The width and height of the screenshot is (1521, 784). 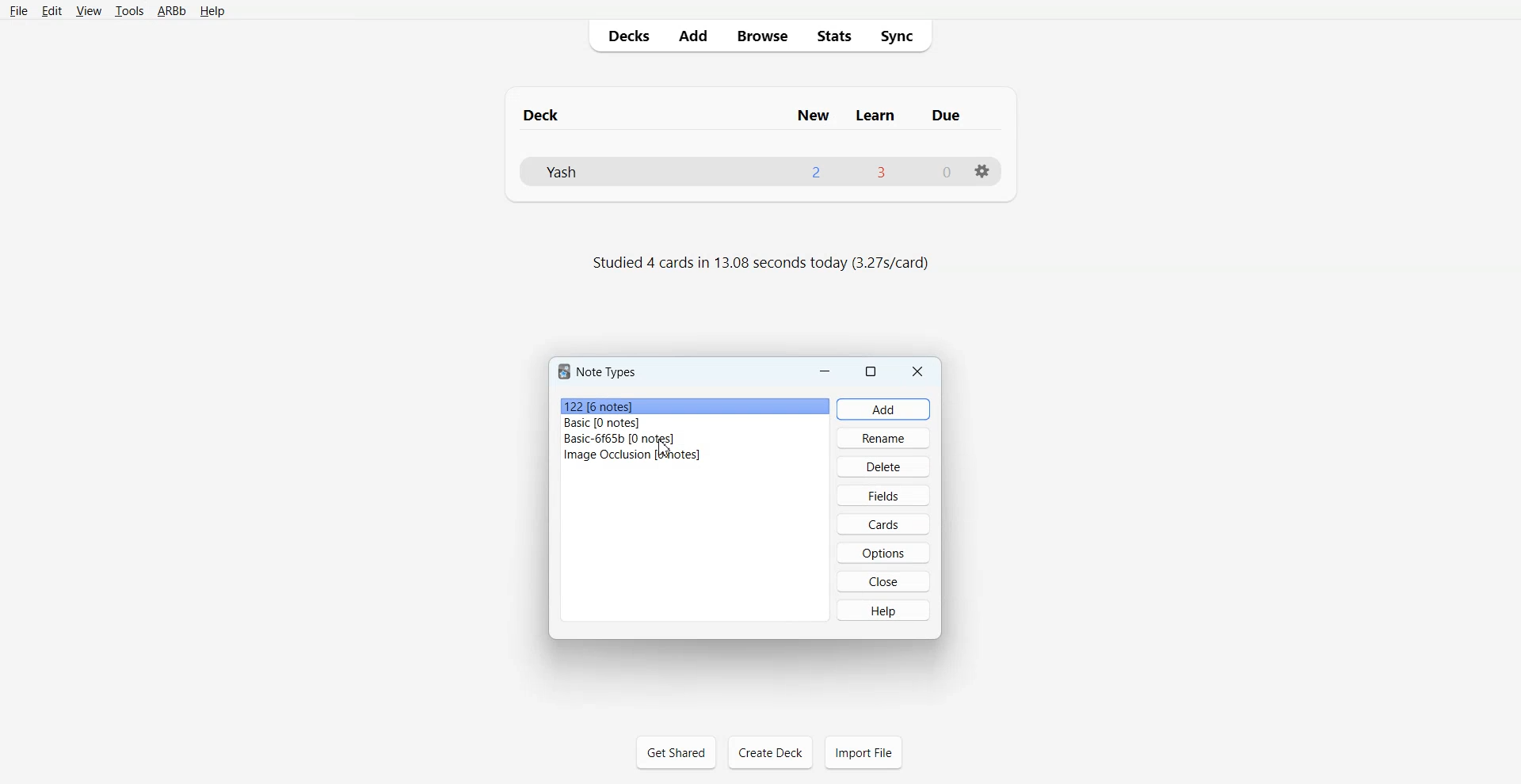 What do you see at coordinates (884, 495) in the screenshot?
I see `Fields` at bounding box center [884, 495].